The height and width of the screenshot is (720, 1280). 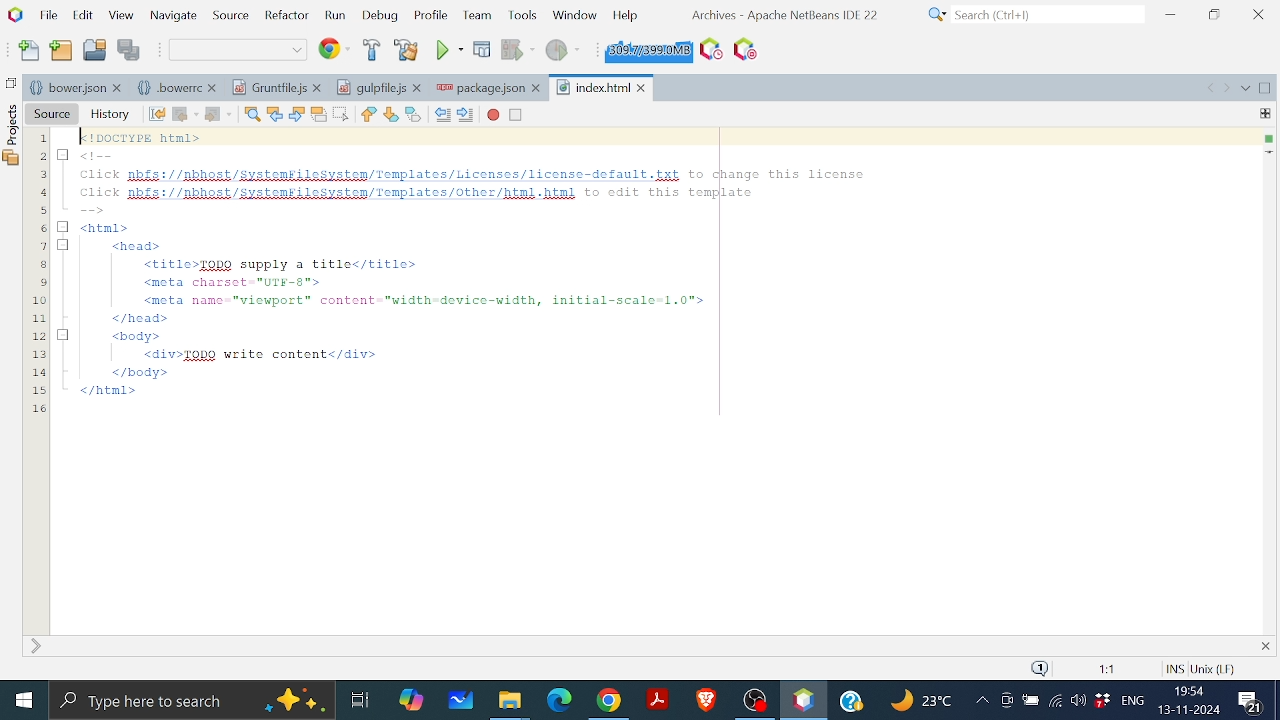 I want to click on </head>, so click(x=135, y=318).